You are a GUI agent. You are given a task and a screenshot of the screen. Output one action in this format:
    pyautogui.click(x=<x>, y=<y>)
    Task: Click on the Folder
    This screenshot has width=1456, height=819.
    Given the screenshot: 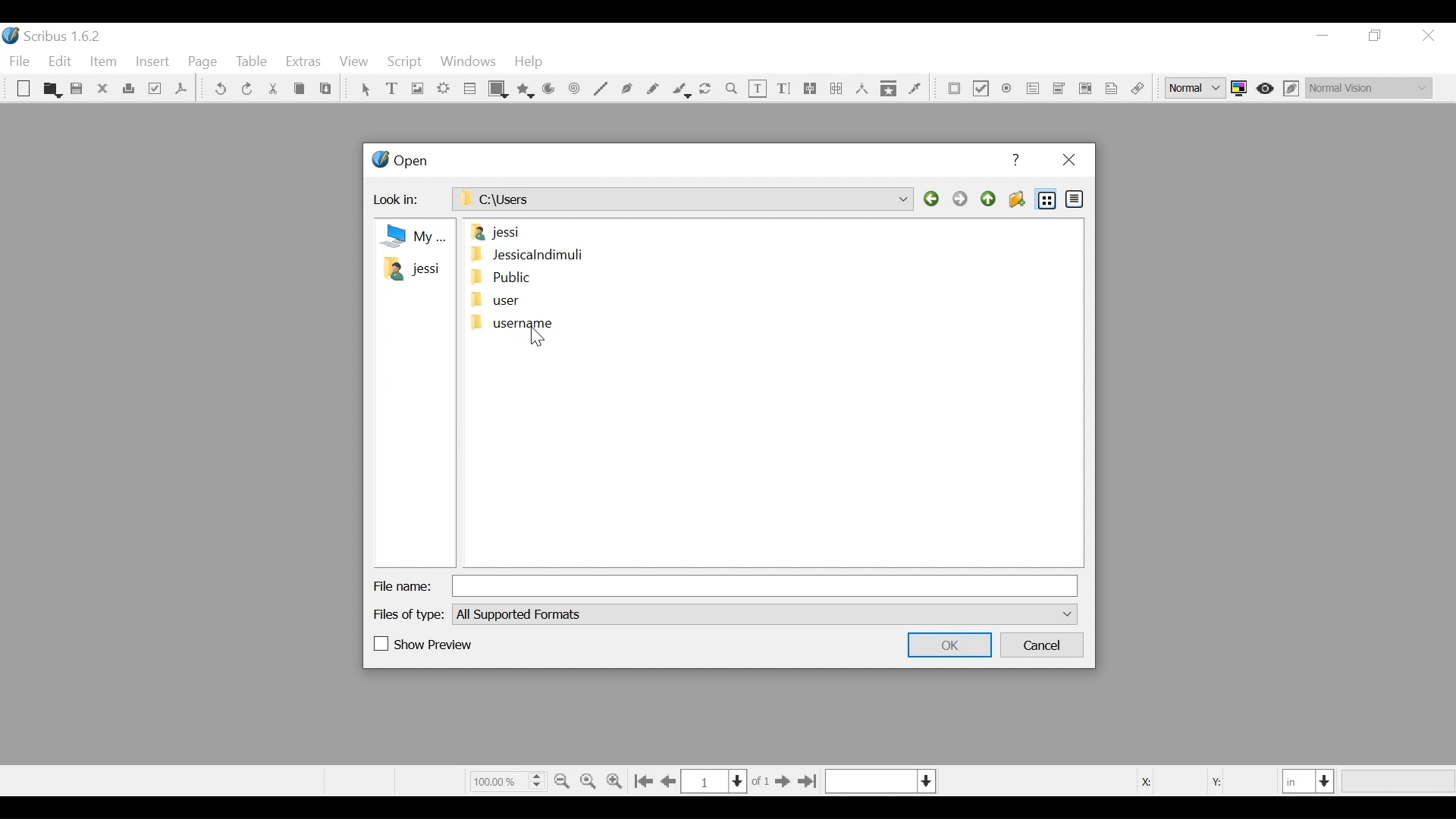 What is the action you would take?
    pyautogui.click(x=411, y=268)
    